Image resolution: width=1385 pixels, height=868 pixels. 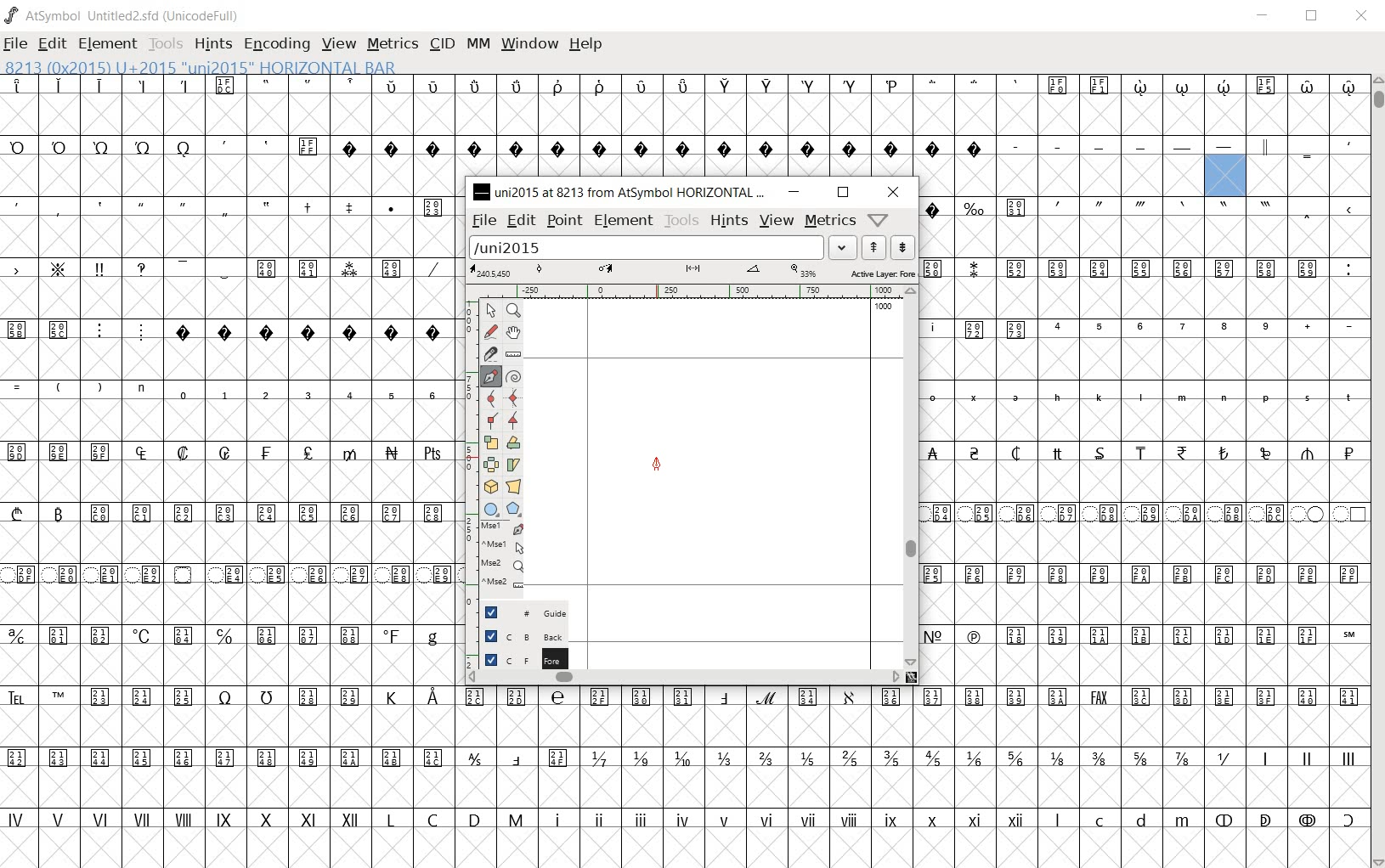 I want to click on HELP, so click(x=588, y=43).